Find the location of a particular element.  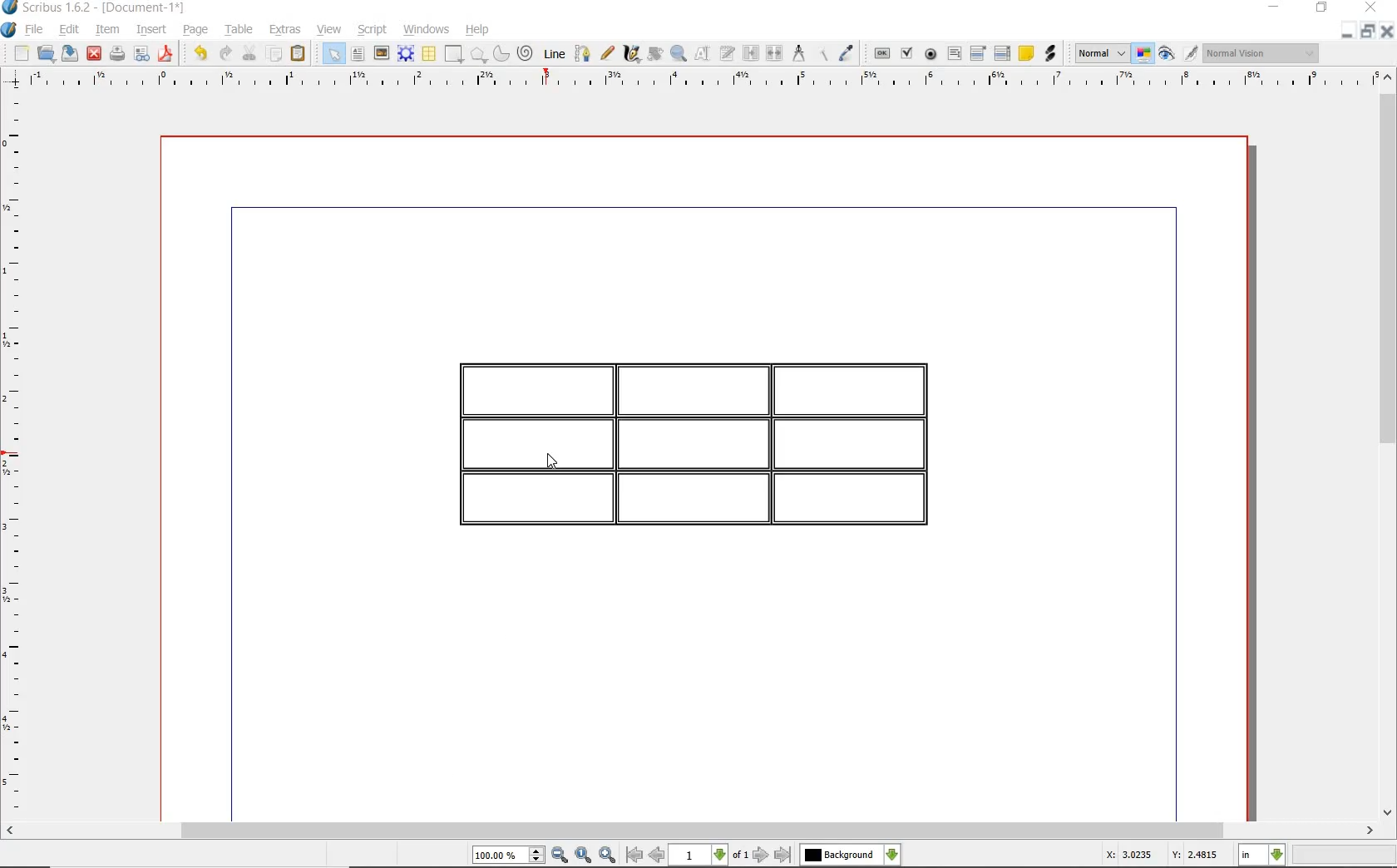

pdf push button is located at coordinates (882, 54).